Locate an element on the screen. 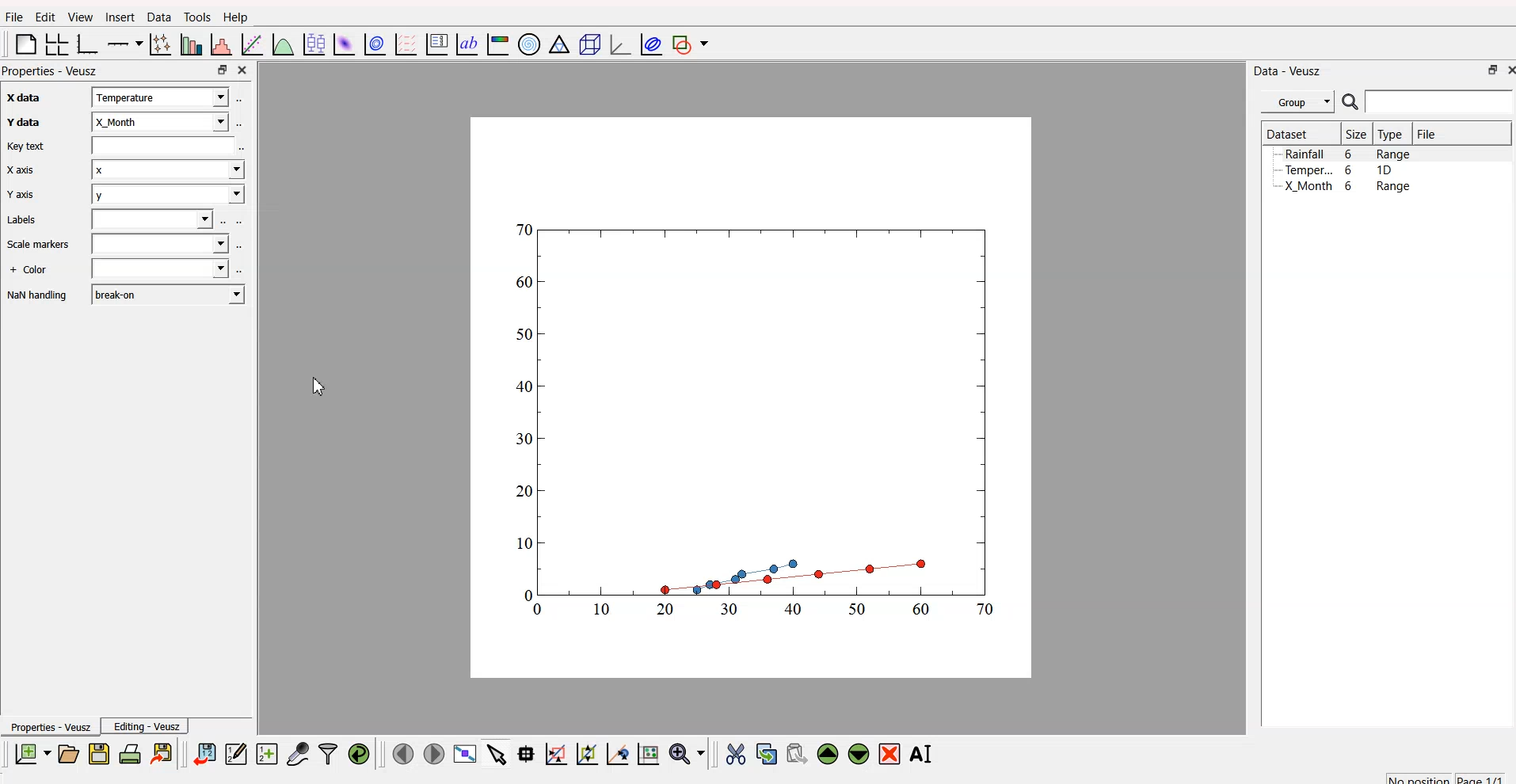 The image size is (1516, 784). import data is located at coordinates (206, 755).